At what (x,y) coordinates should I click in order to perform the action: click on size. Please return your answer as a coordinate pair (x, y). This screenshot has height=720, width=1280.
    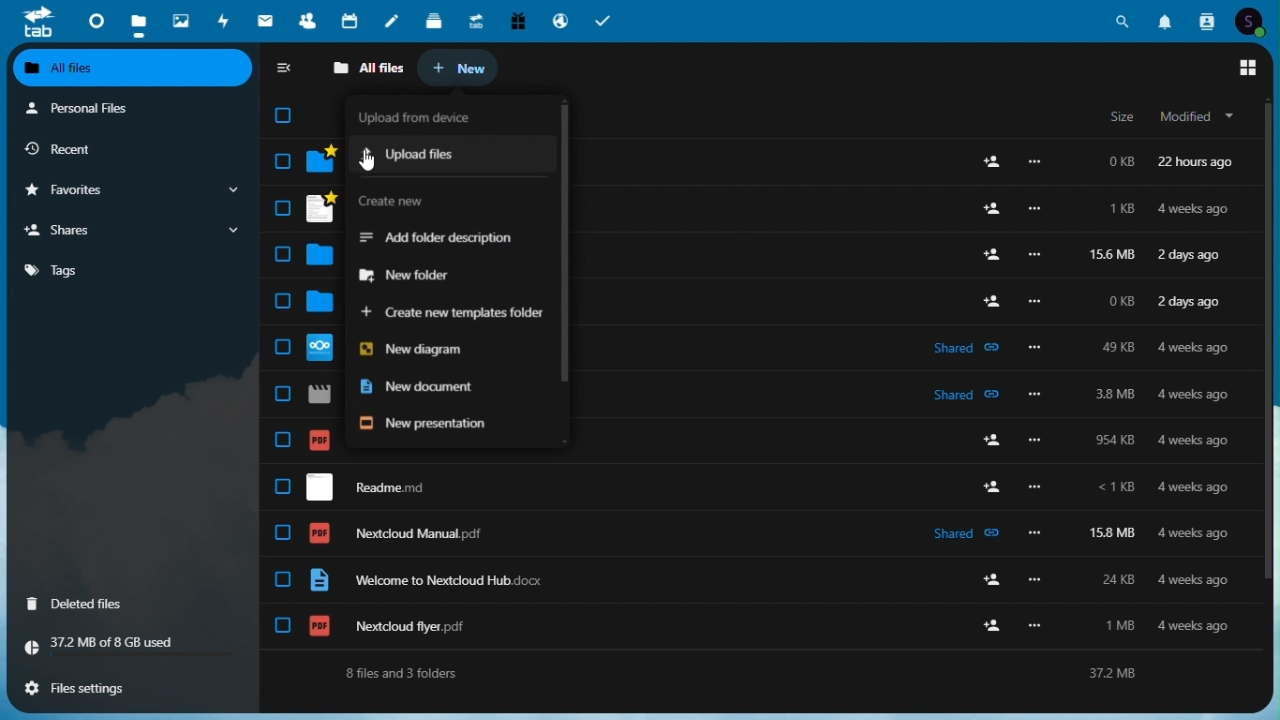
    Looking at the image, I should click on (1120, 118).